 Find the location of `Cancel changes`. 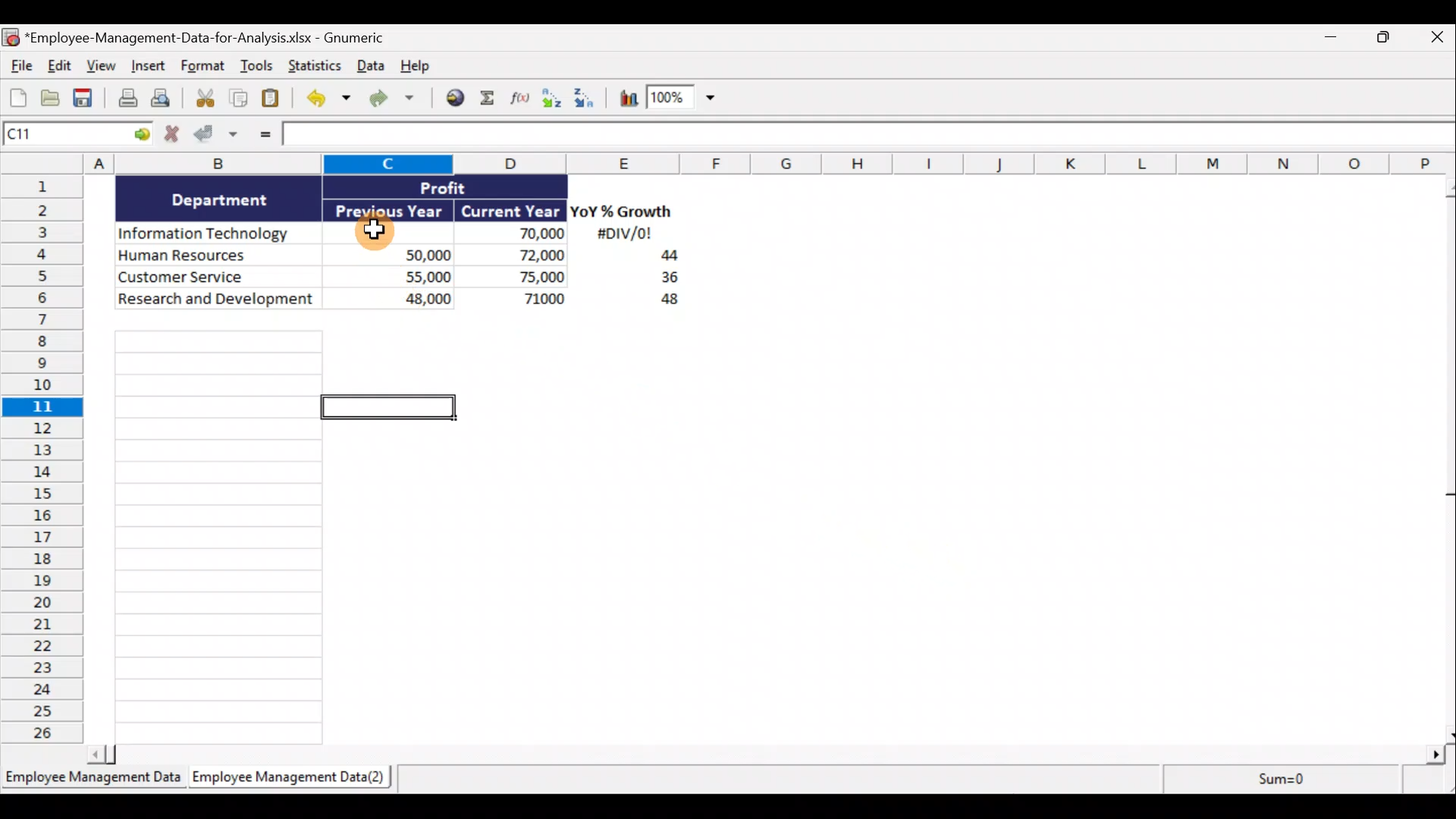

Cancel changes is located at coordinates (172, 136).